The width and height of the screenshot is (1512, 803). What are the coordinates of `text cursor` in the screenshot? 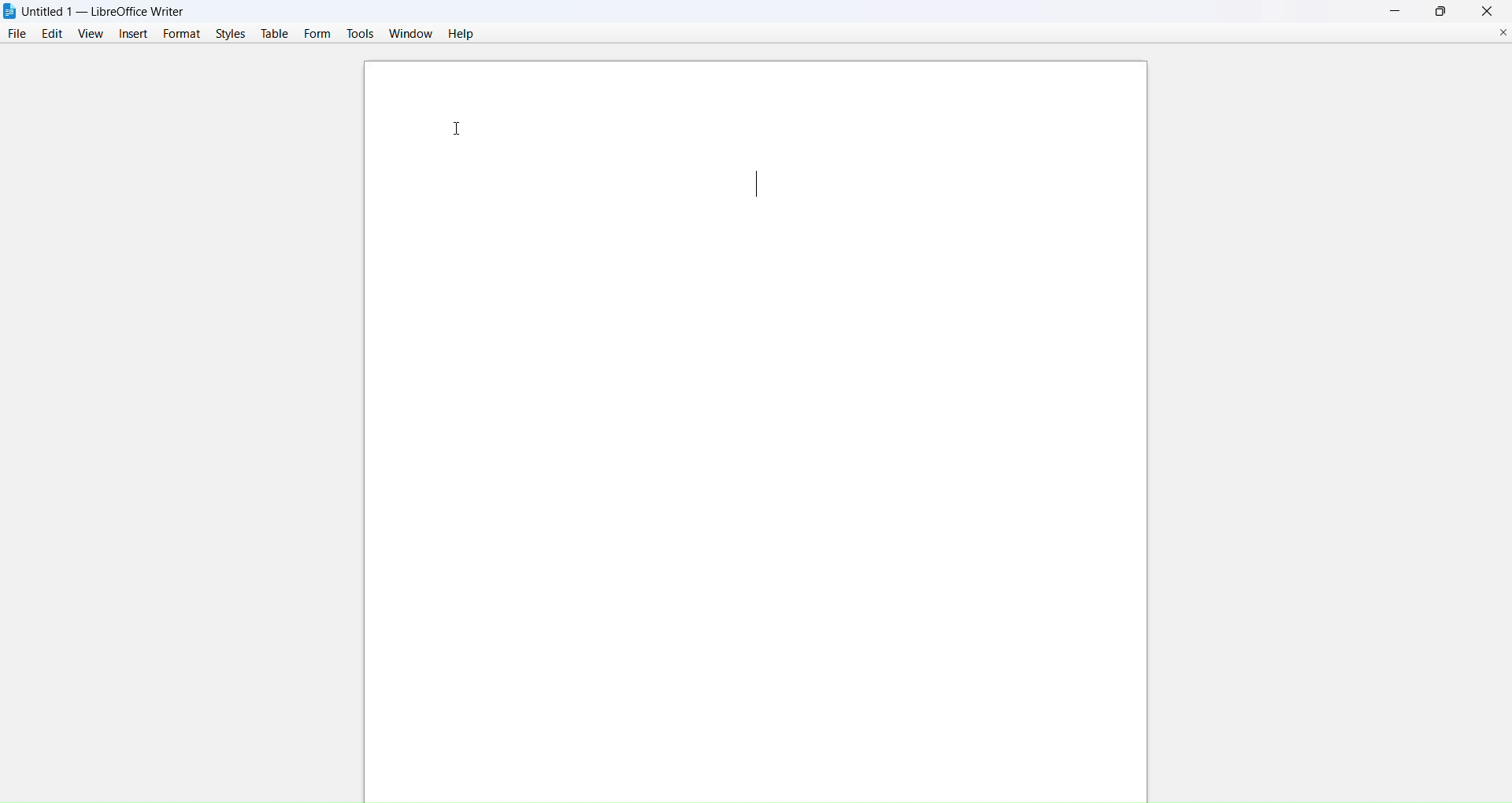 It's located at (754, 189).